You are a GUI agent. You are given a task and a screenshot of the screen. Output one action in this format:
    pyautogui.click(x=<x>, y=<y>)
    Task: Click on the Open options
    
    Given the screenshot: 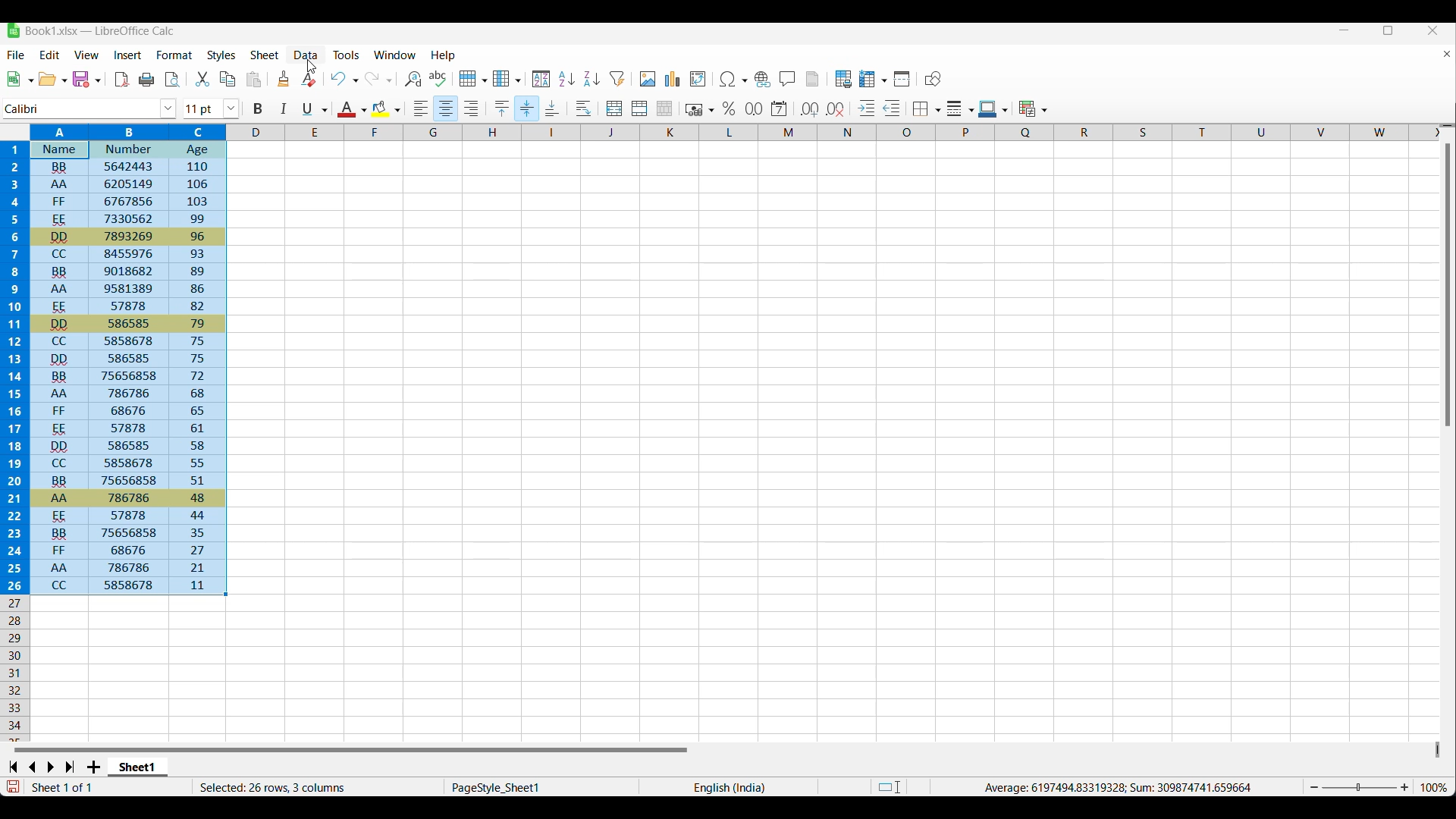 What is the action you would take?
    pyautogui.click(x=52, y=79)
    